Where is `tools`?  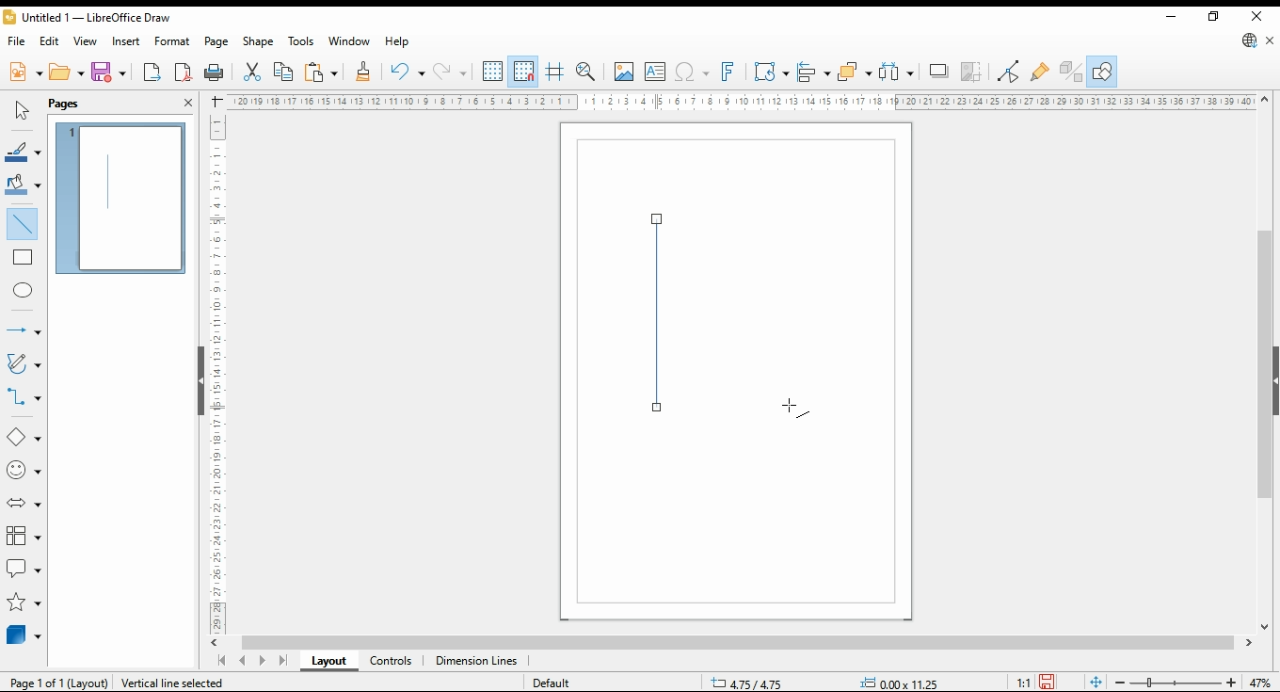 tools is located at coordinates (302, 42).